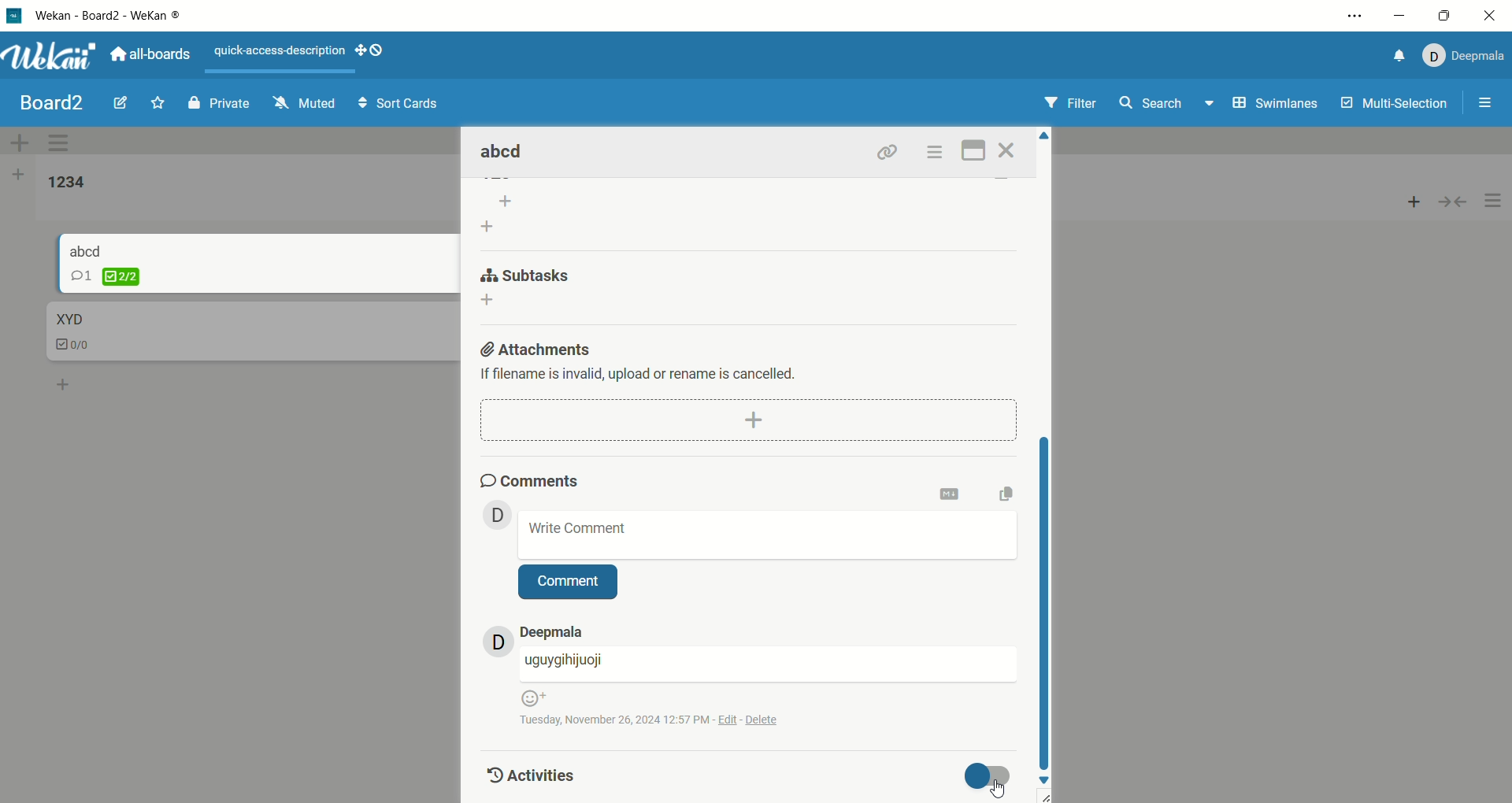 This screenshot has width=1512, height=803. What do you see at coordinates (1488, 18) in the screenshot?
I see `close` at bounding box center [1488, 18].